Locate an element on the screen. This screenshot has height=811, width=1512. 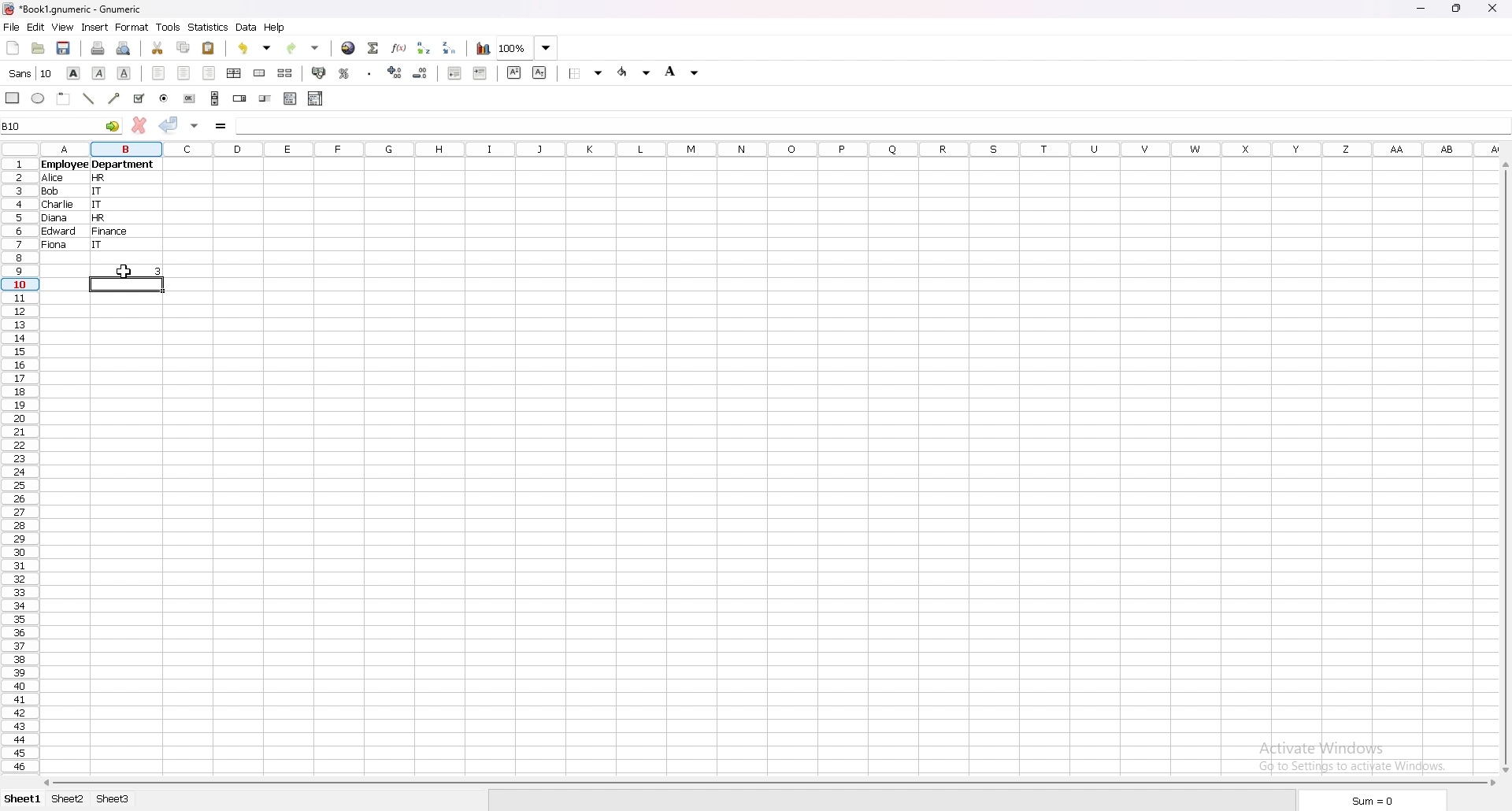
sort descending is located at coordinates (450, 48).